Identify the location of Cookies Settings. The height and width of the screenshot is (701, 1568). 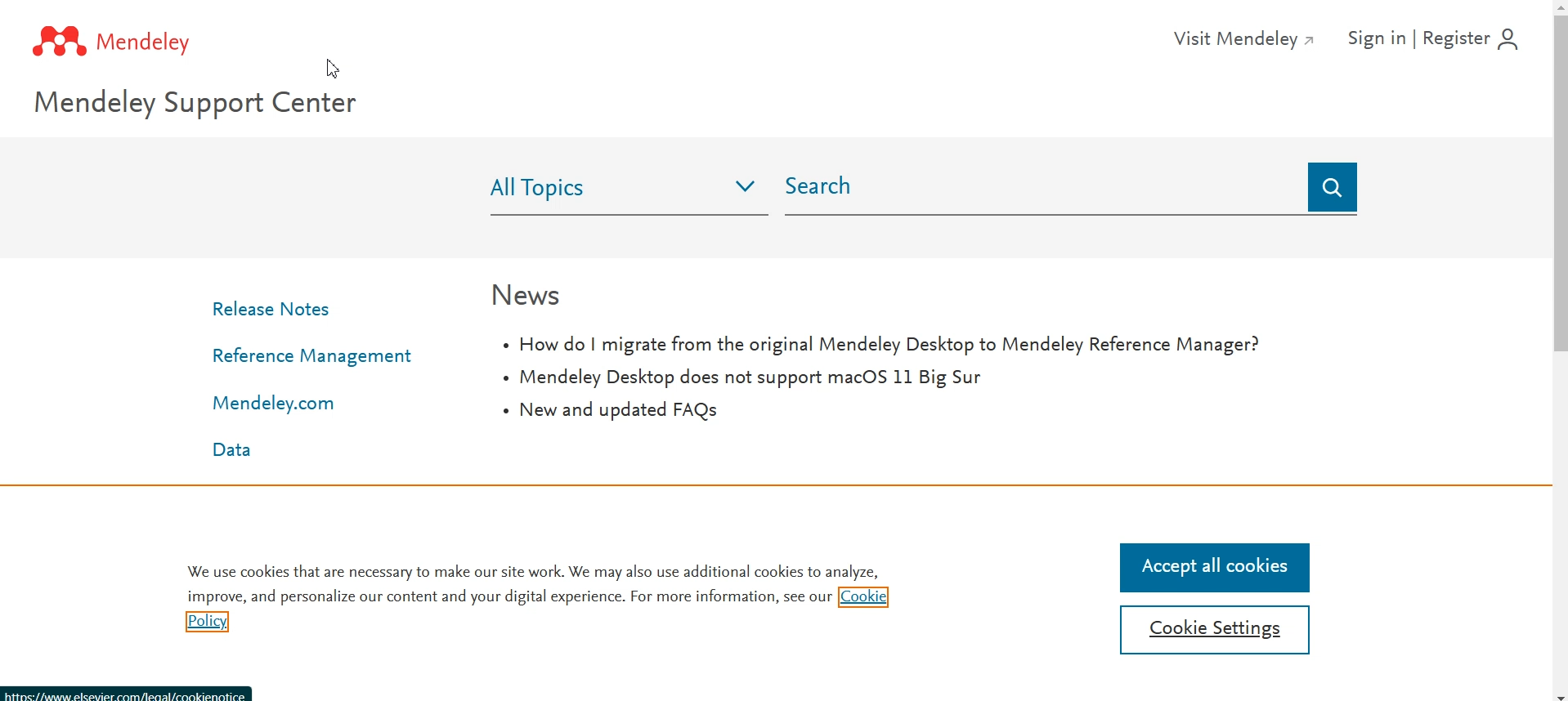
(1217, 631).